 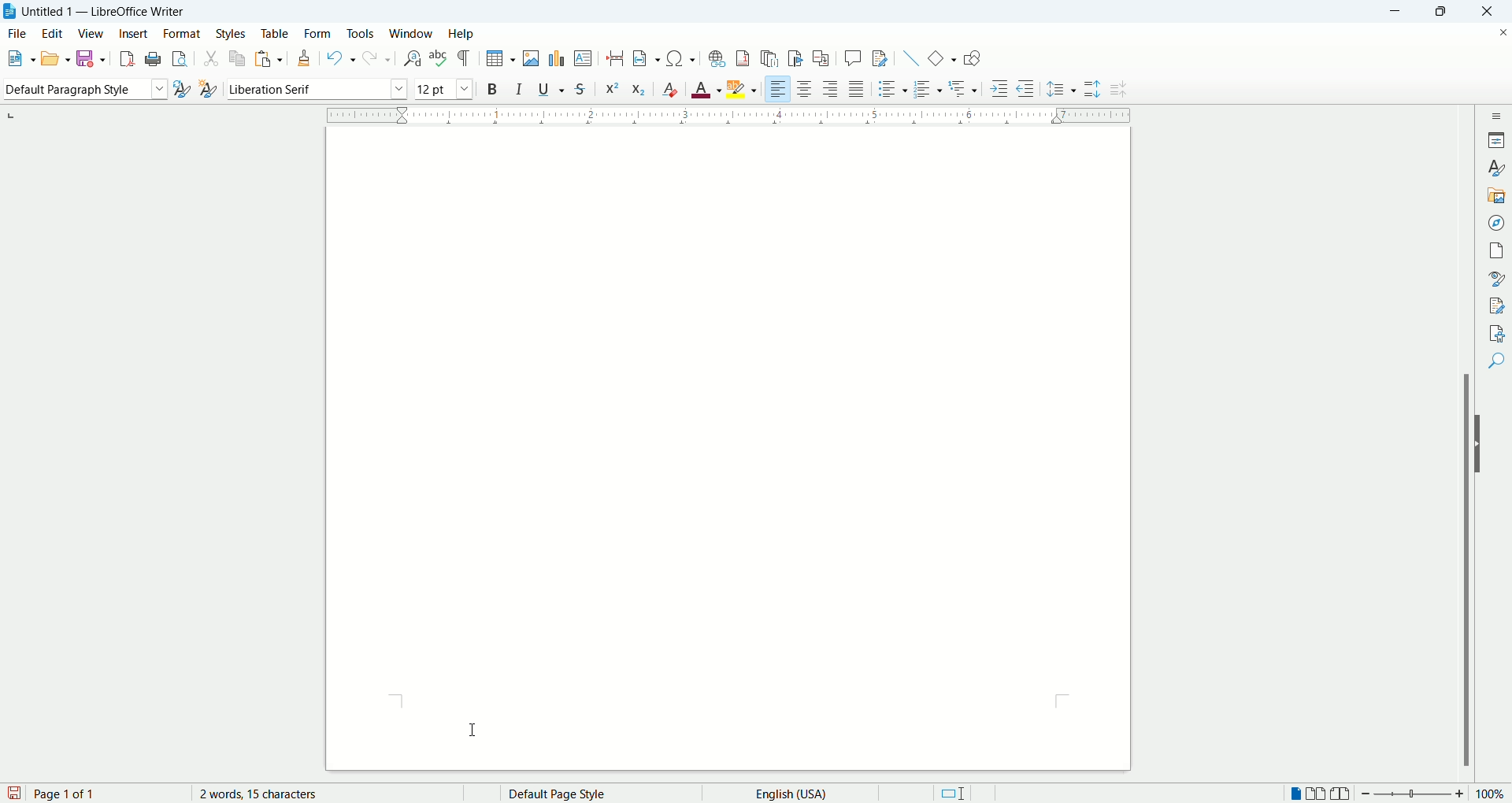 What do you see at coordinates (929, 90) in the screenshot?
I see `ordered list` at bounding box center [929, 90].